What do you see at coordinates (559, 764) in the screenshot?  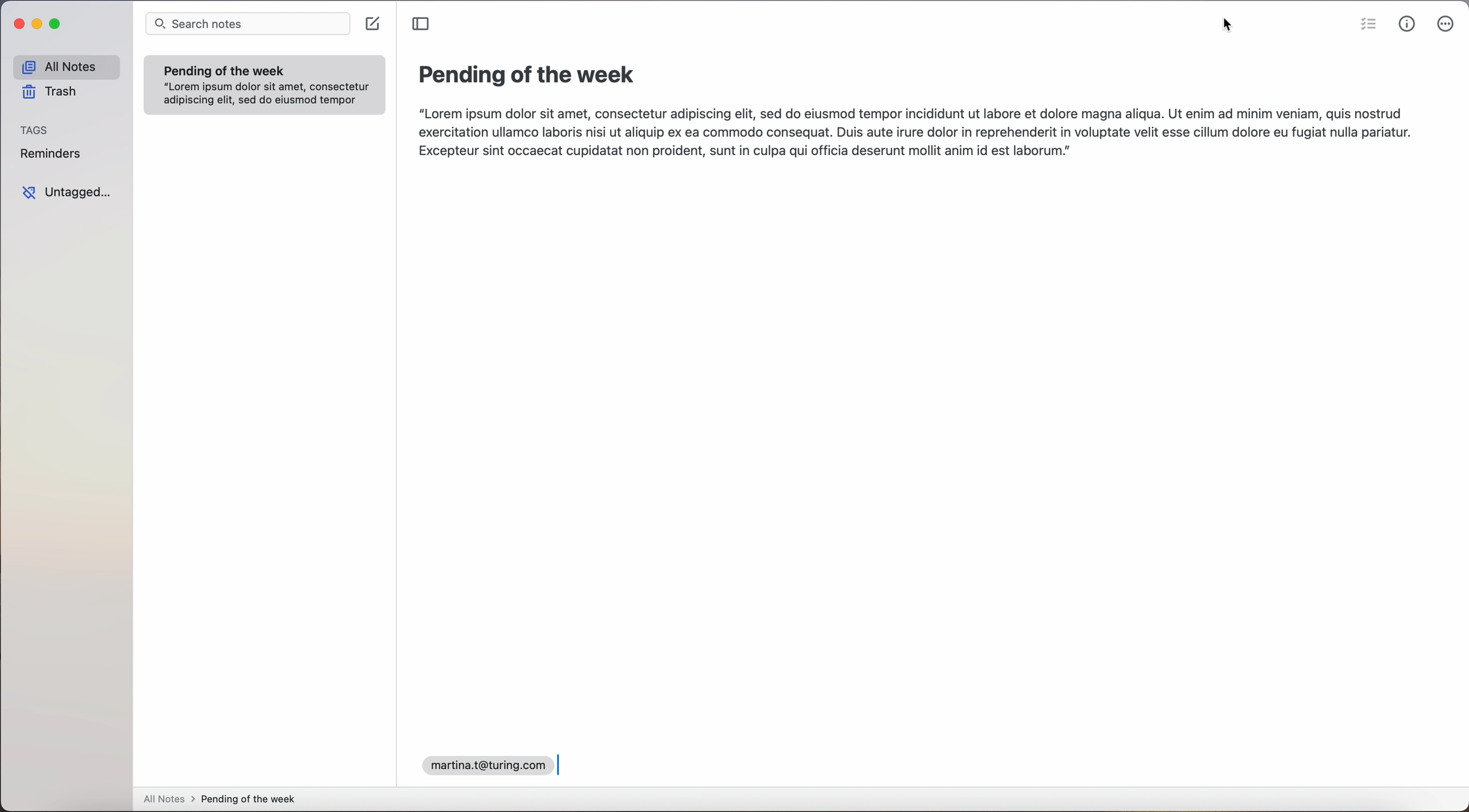 I see `typing cursor` at bounding box center [559, 764].